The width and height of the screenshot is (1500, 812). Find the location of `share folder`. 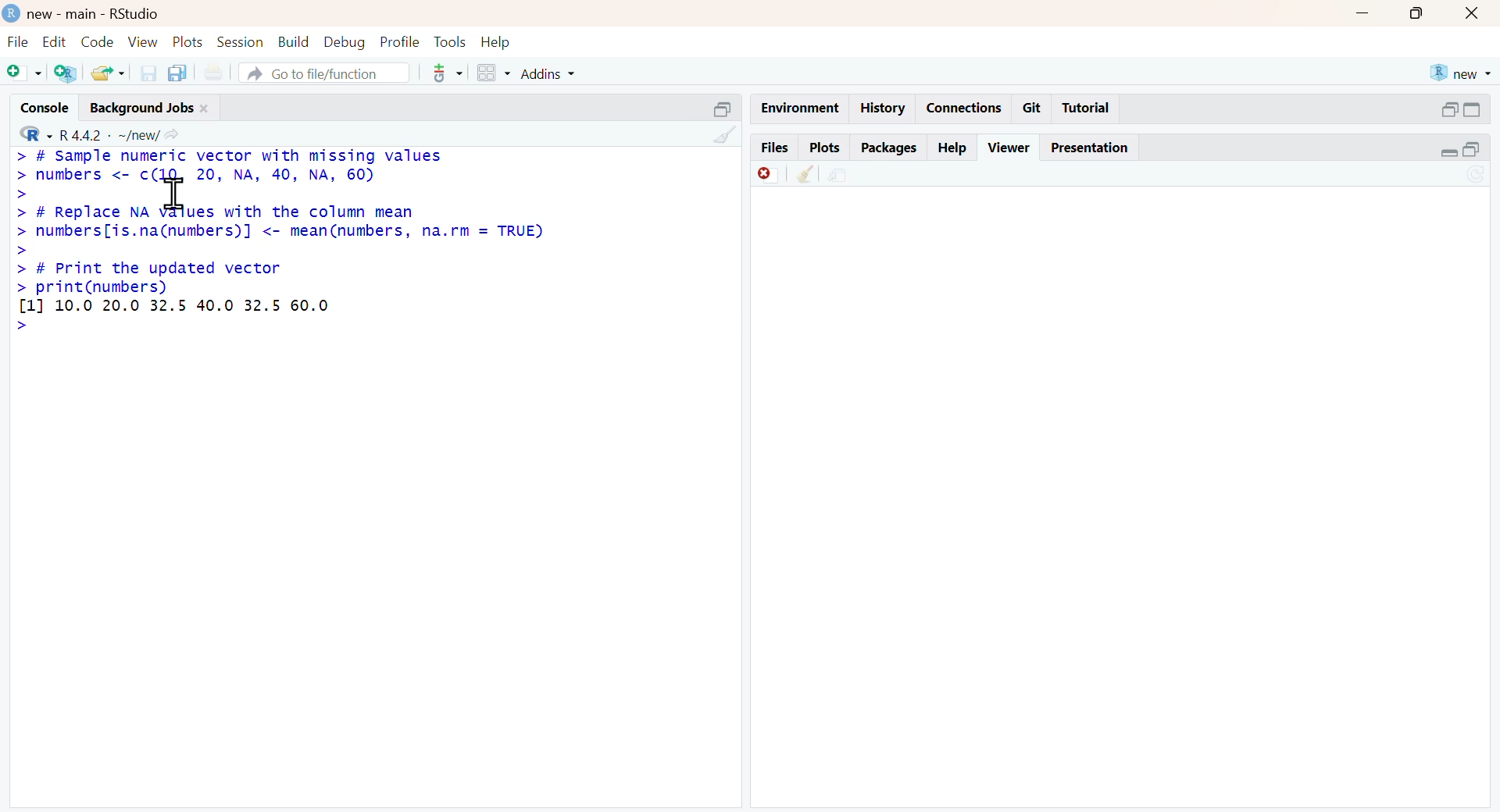

share folder is located at coordinates (110, 73).